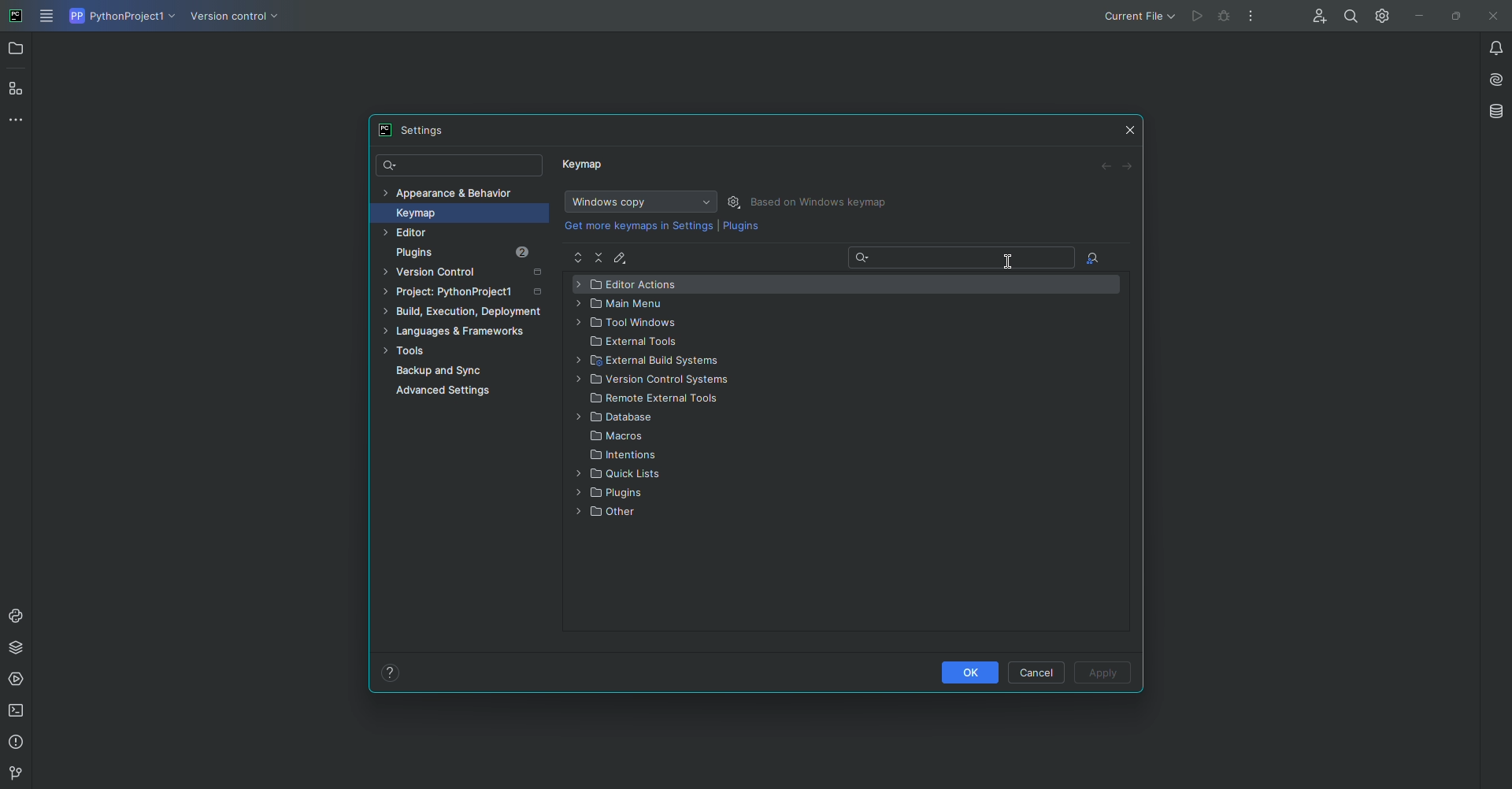 The image size is (1512, 789). Describe the element at coordinates (449, 191) in the screenshot. I see `Appearance` at that location.